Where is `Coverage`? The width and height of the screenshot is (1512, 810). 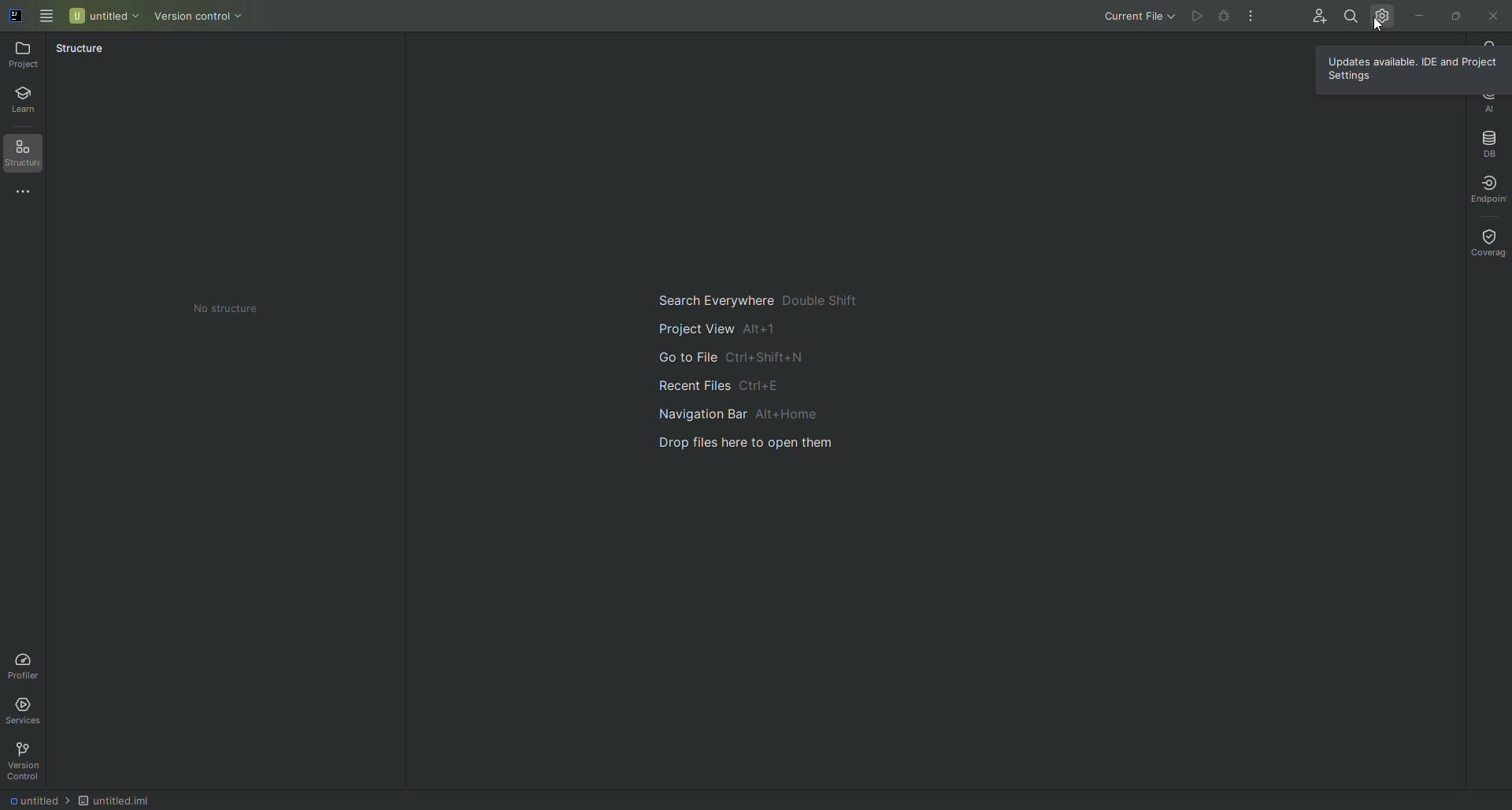
Coverage is located at coordinates (1486, 241).